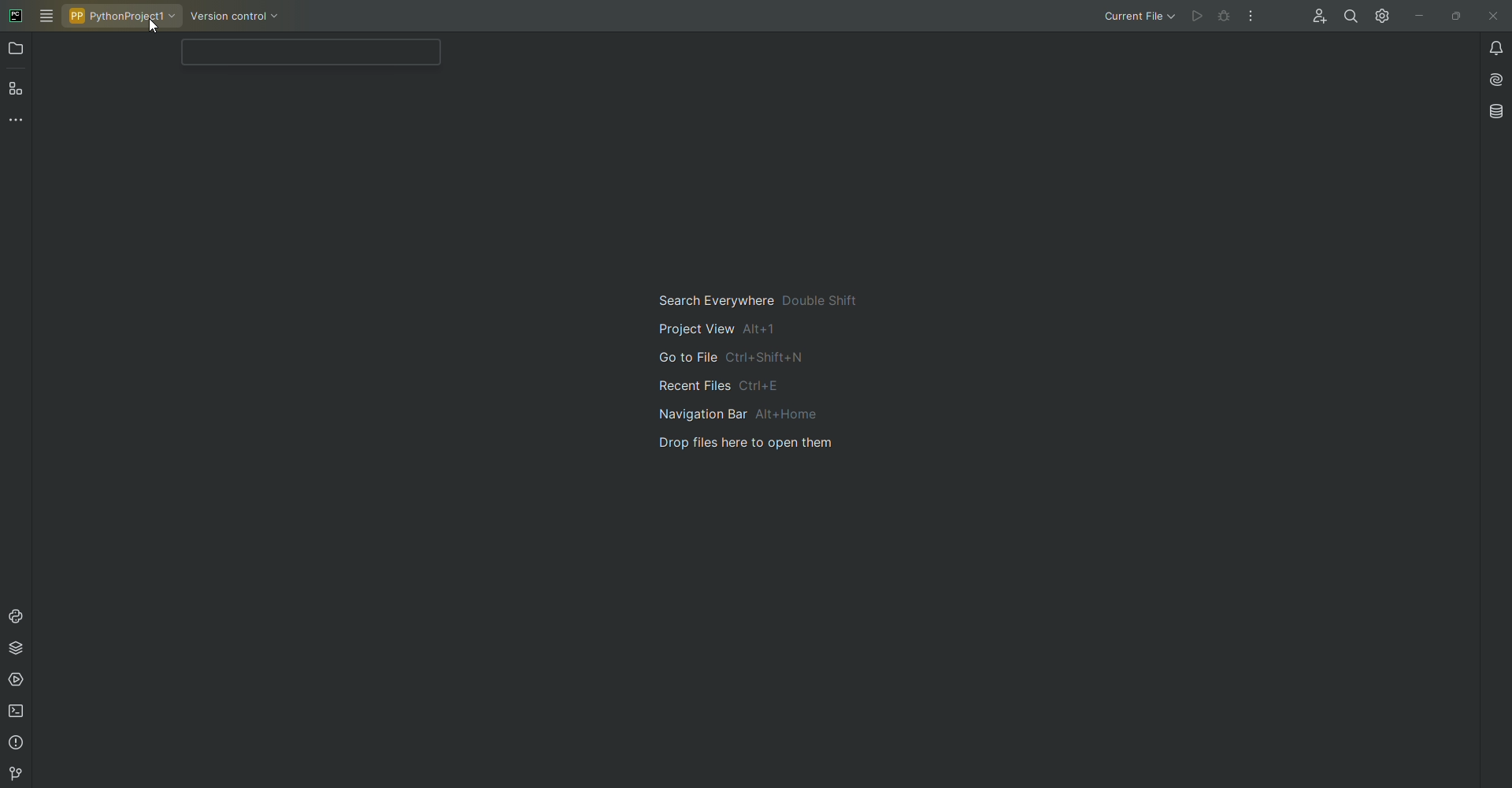 The height and width of the screenshot is (788, 1512). Describe the element at coordinates (1314, 18) in the screenshot. I see `Code With Me` at that location.